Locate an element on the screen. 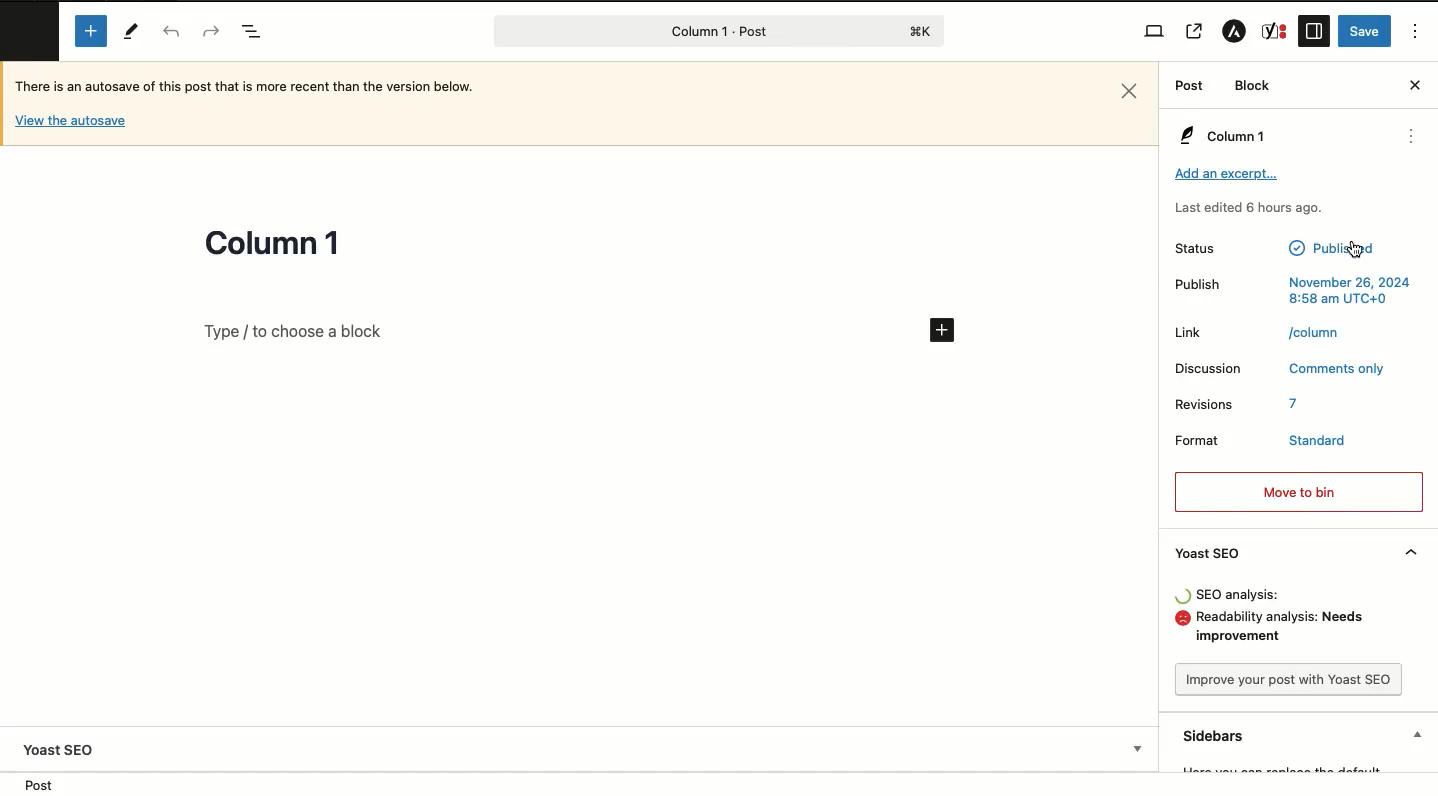 The height and width of the screenshot is (796, 1438). November 26, 2024 8:58 am UTC+0 is located at coordinates (1348, 292).